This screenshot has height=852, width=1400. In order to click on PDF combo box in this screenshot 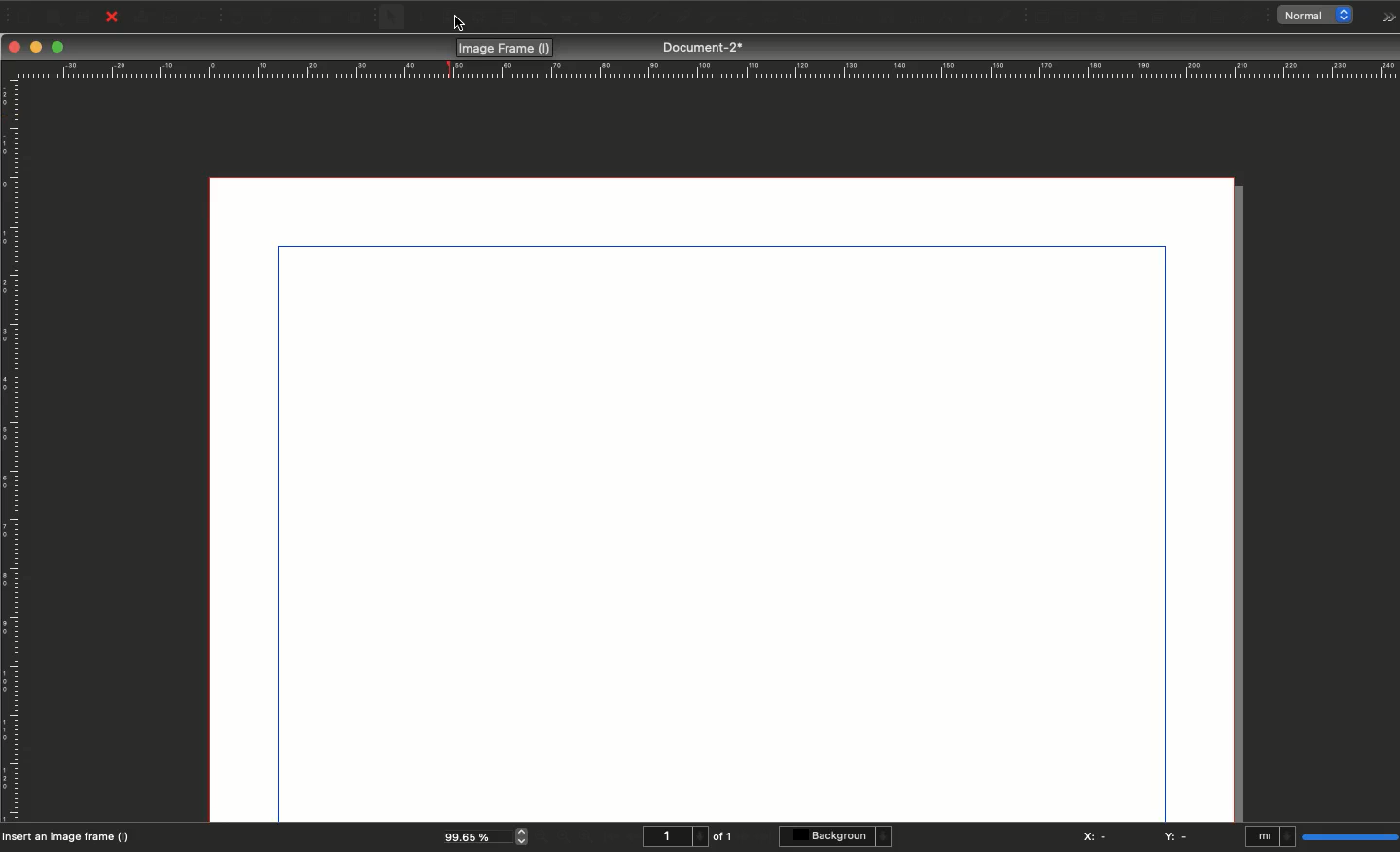, I will do `click(1157, 18)`.